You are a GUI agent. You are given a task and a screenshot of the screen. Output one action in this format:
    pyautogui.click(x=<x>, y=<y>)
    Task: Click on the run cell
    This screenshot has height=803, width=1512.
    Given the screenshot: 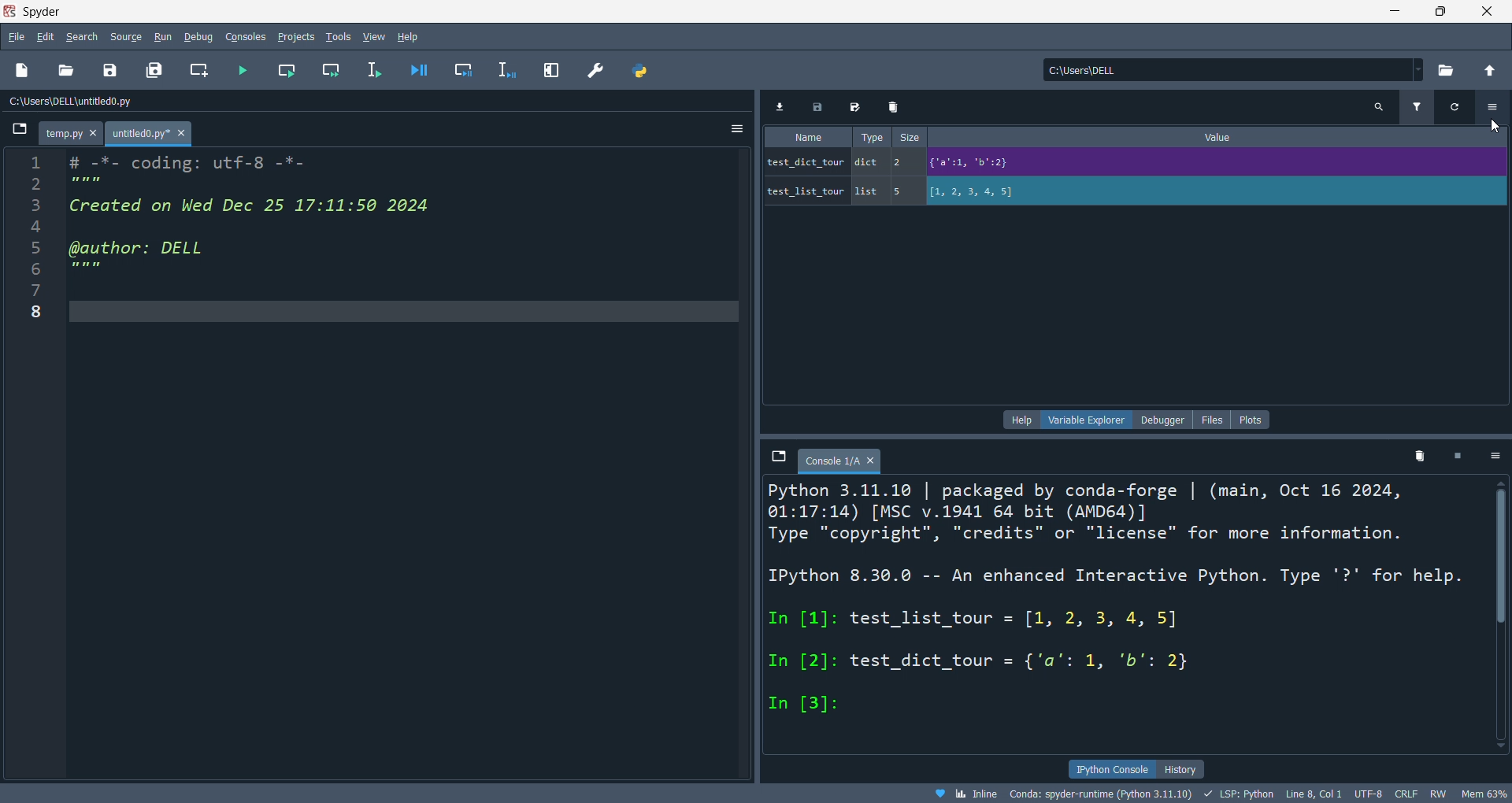 What is the action you would take?
    pyautogui.click(x=287, y=71)
    